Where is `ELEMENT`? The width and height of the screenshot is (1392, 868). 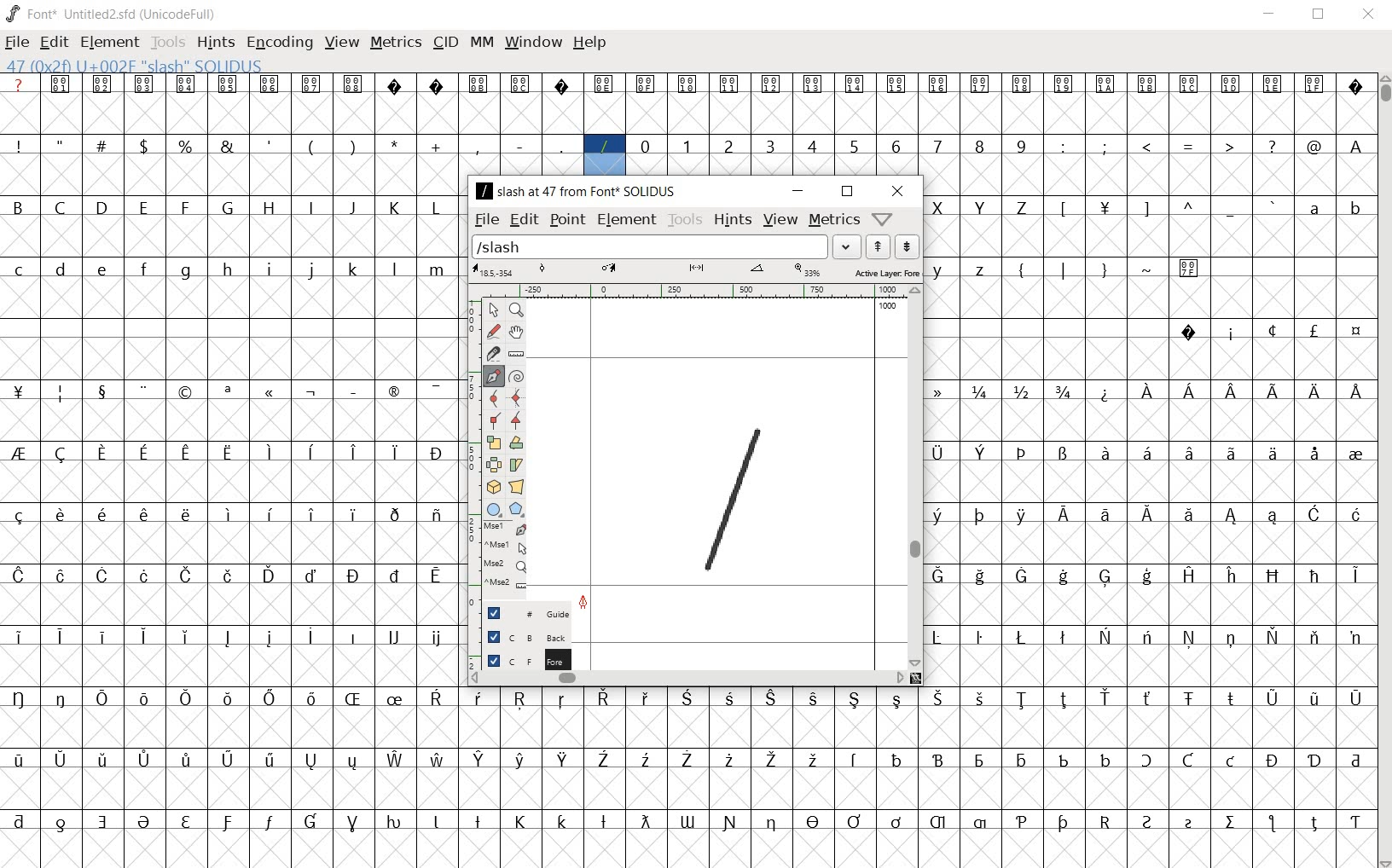
ELEMENT is located at coordinates (109, 43).